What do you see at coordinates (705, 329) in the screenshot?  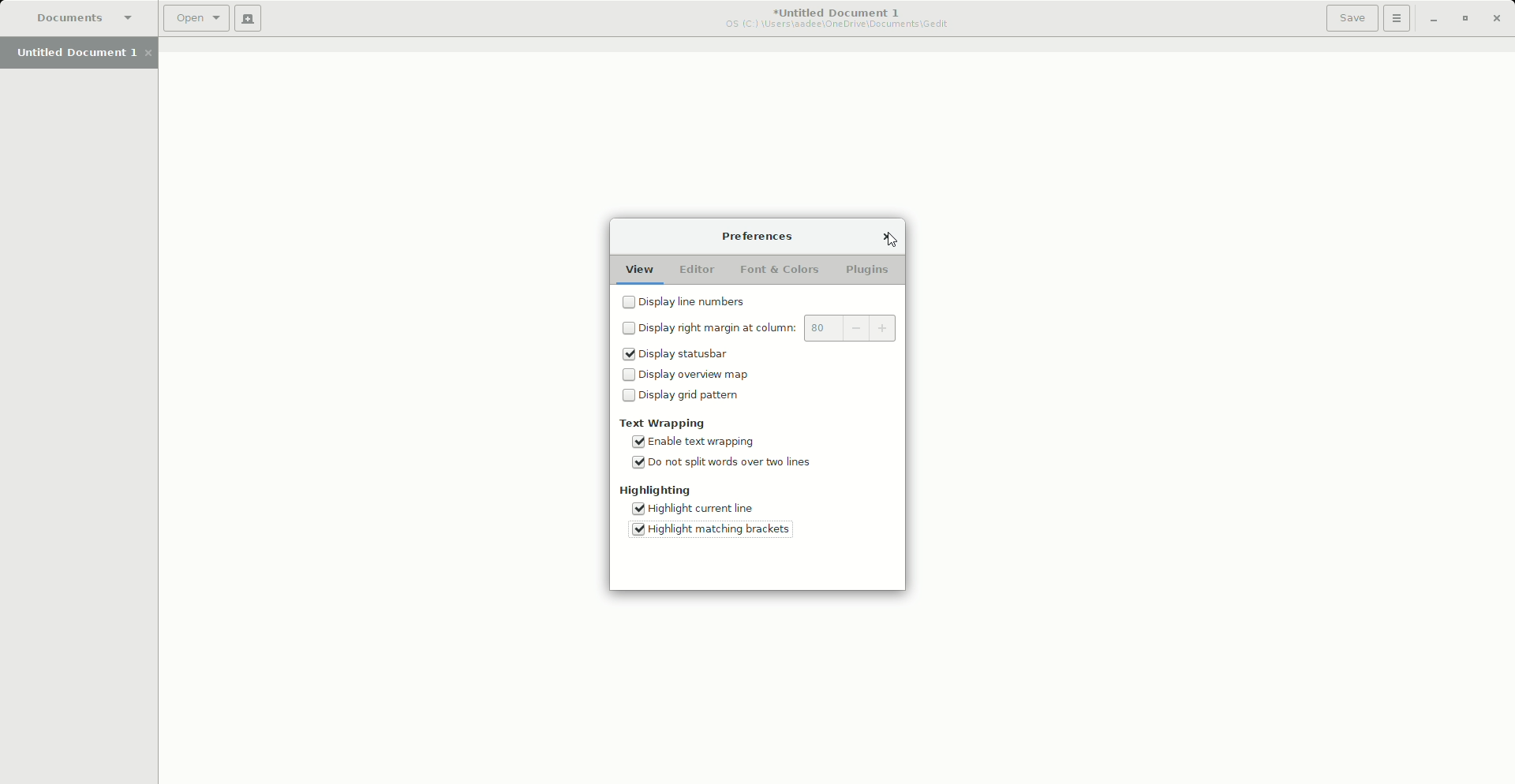 I see `Right margin at column` at bounding box center [705, 329].